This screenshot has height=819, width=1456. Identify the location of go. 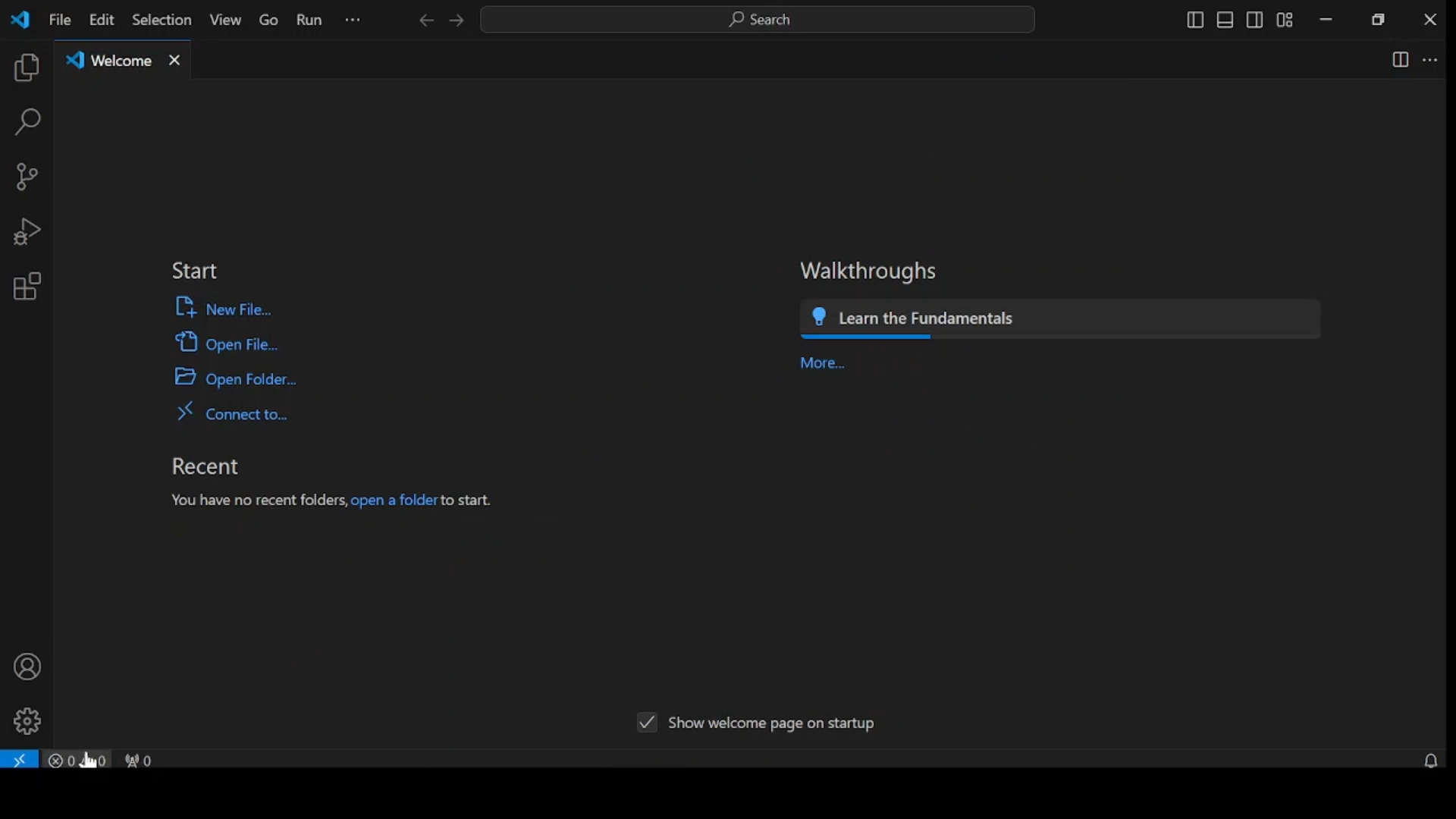
(266, 20).